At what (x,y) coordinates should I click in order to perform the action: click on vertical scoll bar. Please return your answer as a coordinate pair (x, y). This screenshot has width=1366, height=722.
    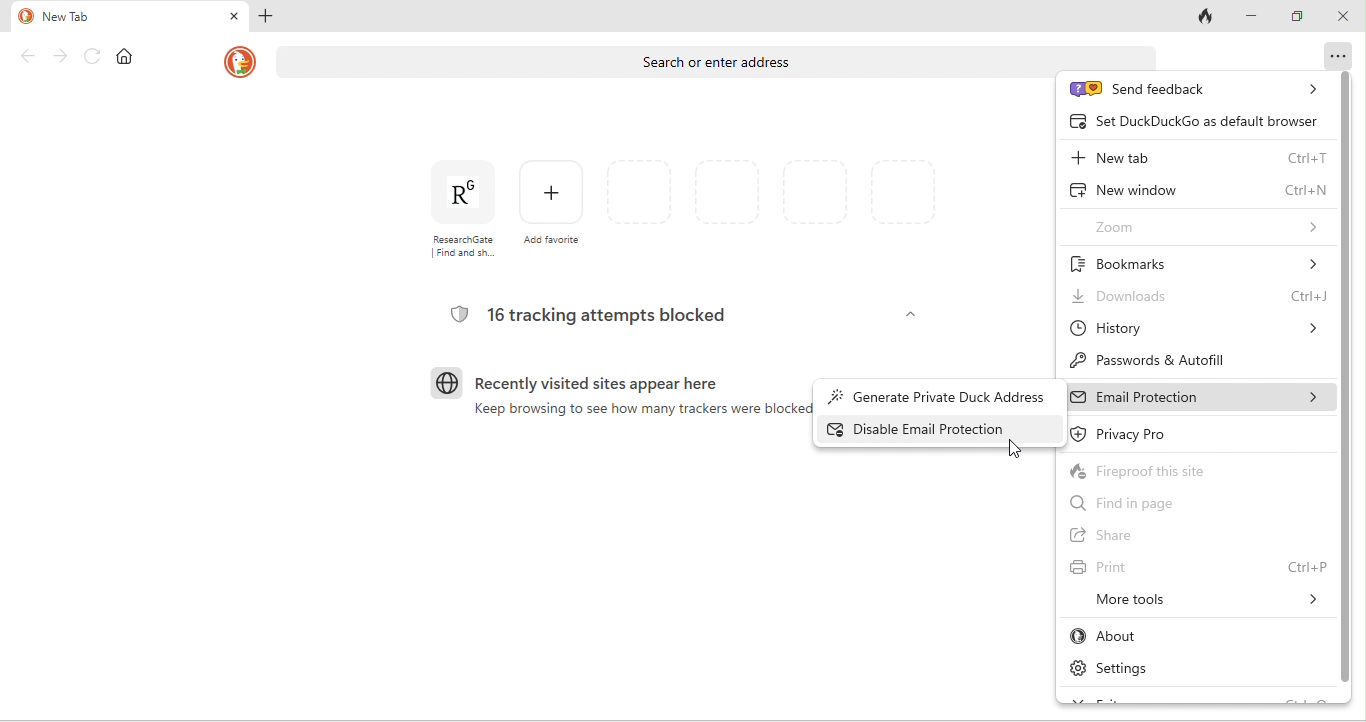
    Looking at the image, I should click on (1347, 374).